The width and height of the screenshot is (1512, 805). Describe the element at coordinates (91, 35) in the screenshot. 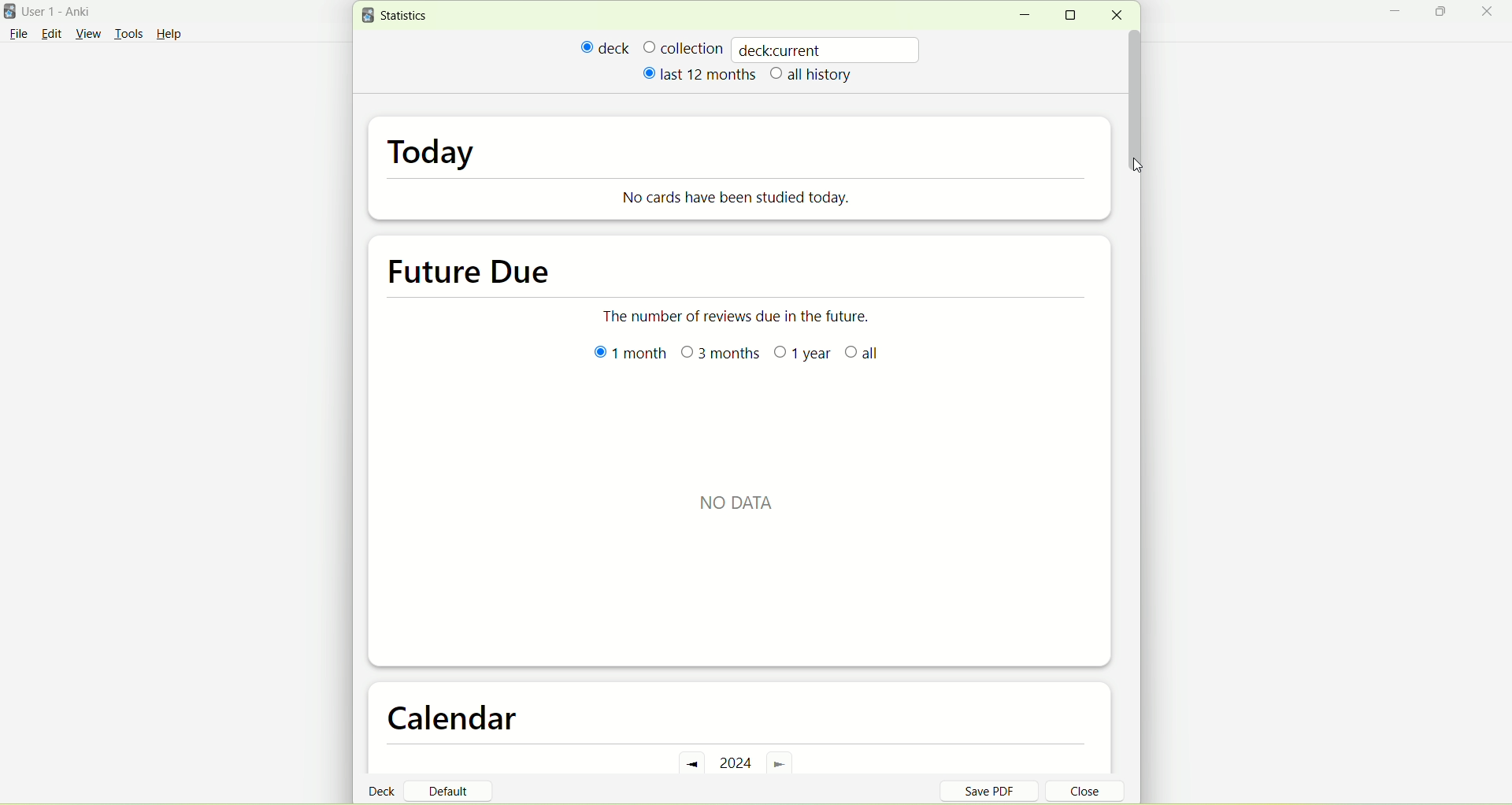

I see `view` at that location.